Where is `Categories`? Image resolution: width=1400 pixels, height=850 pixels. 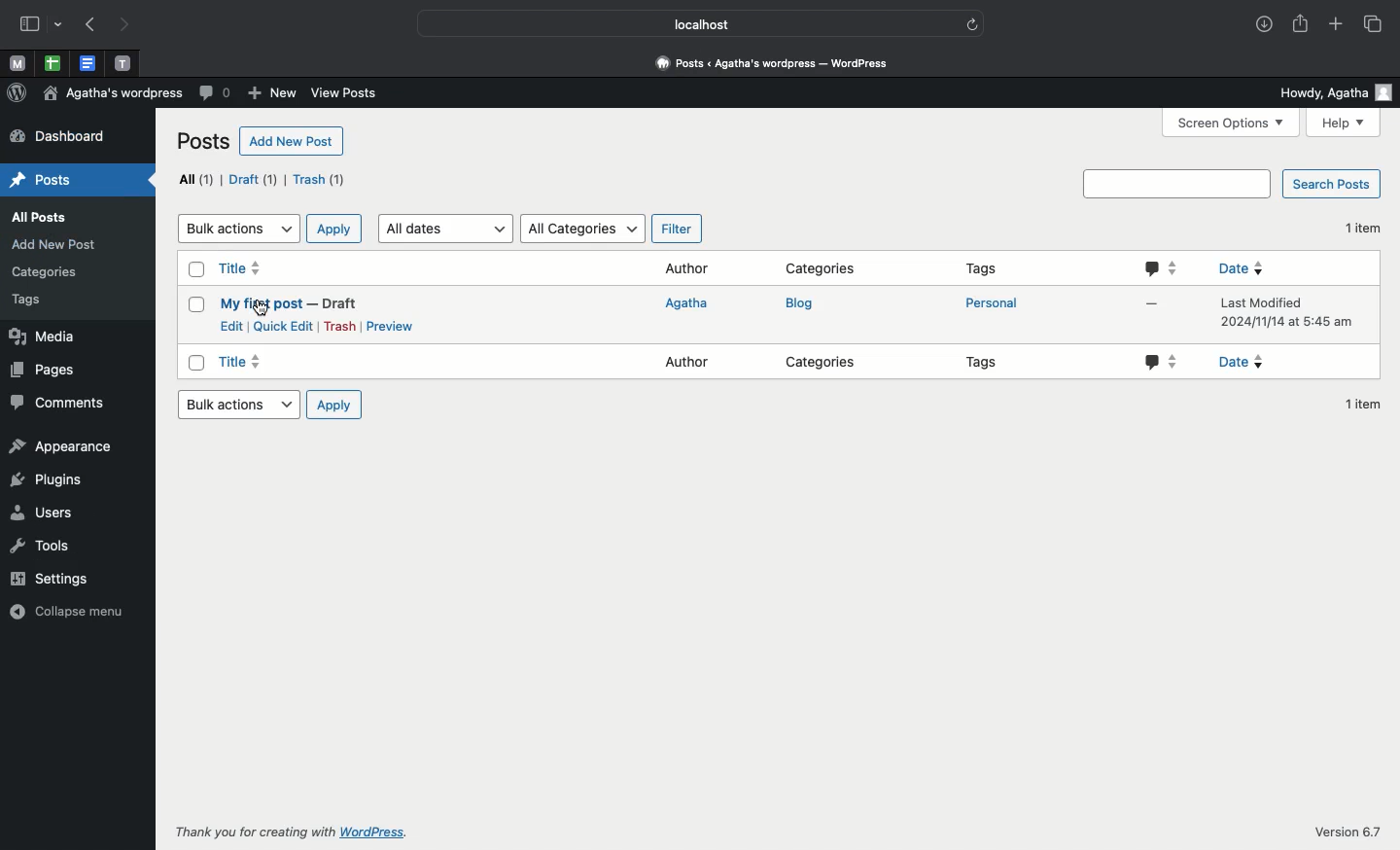 Categories is located at coordinates (824, 363).